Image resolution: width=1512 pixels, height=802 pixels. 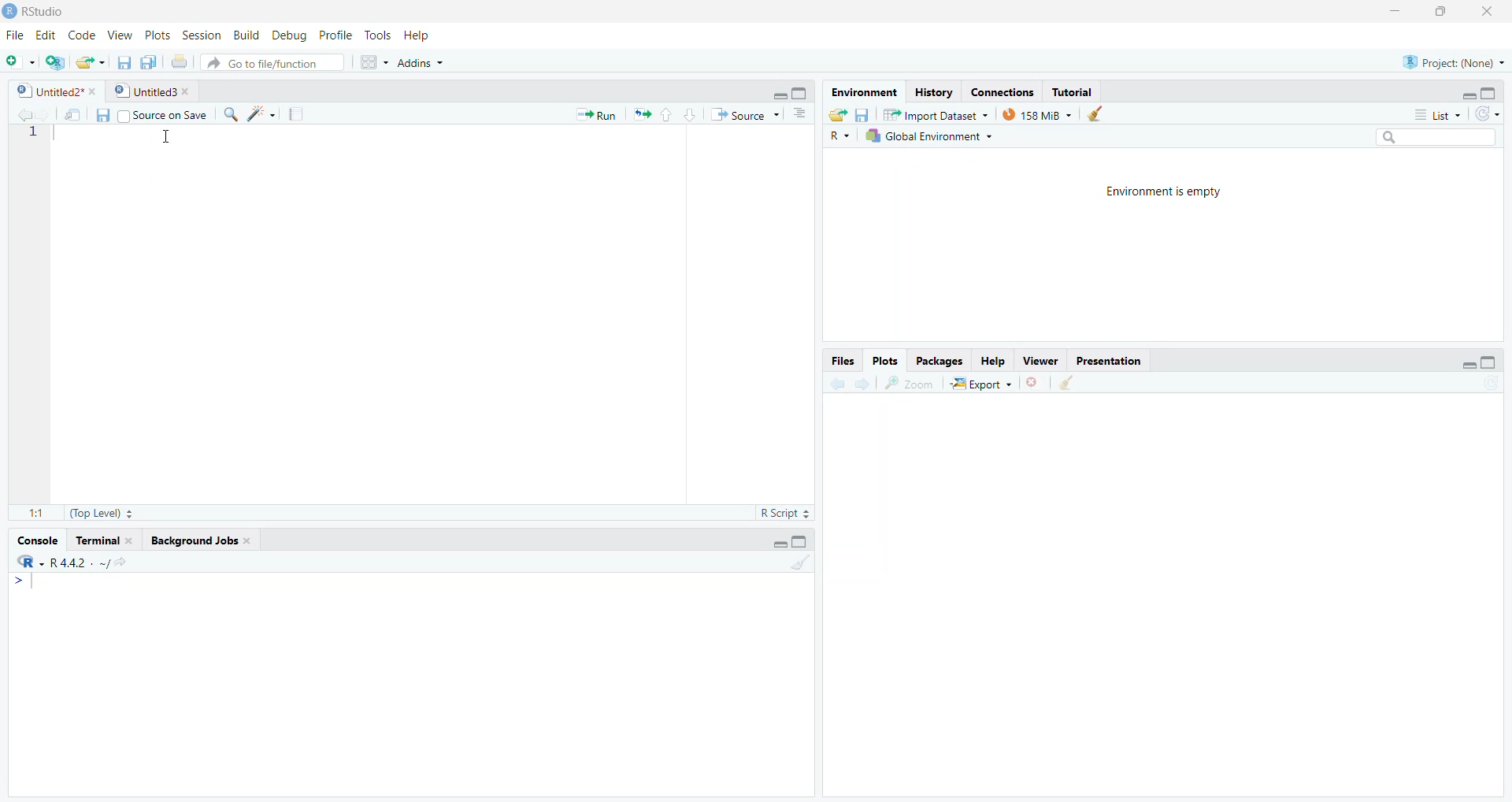 I want to click on ) | Untitled3, so click(x=154, y=91).